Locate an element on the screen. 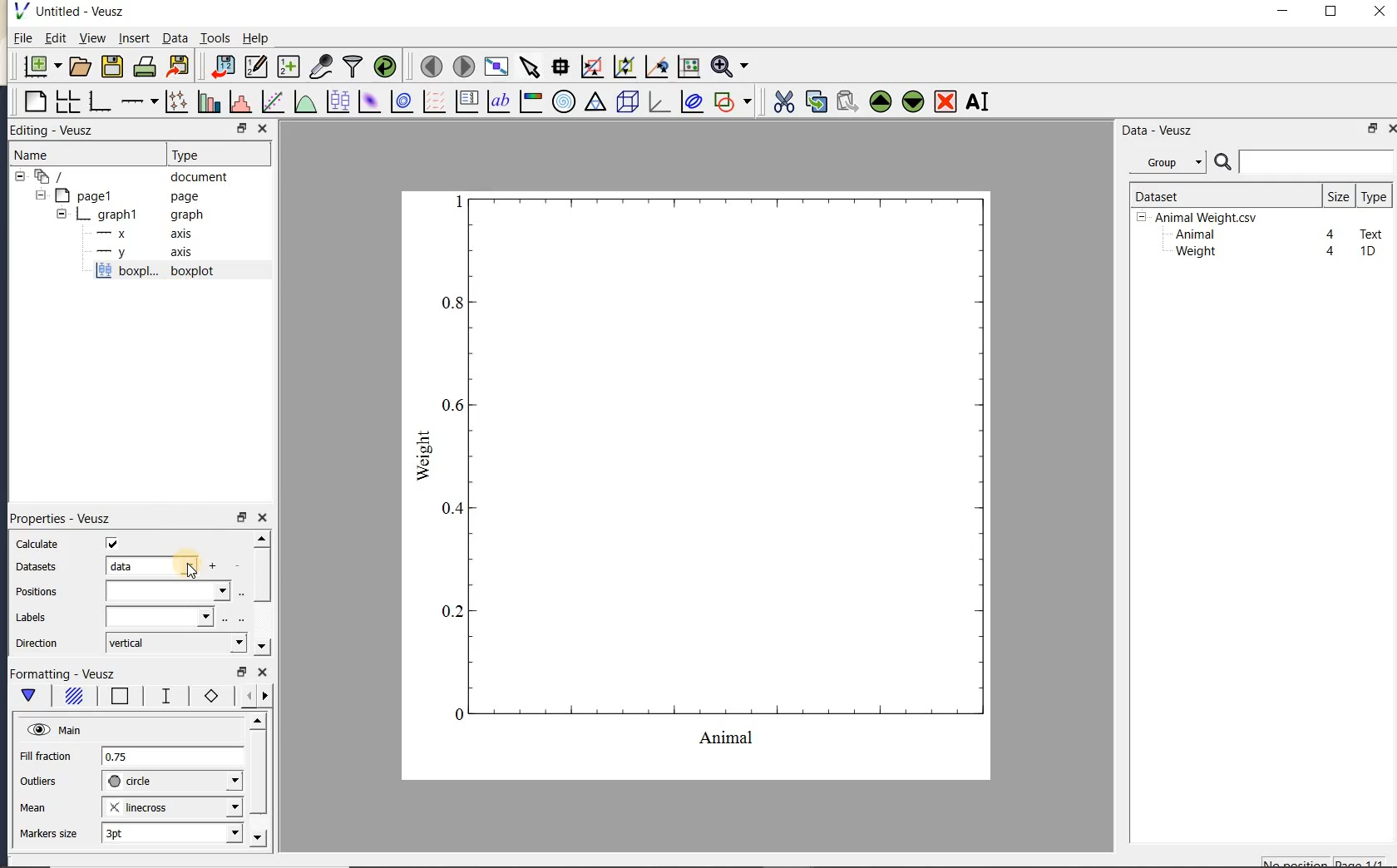 This screenshot has height=868, width=1397. reload linked datasets is located at coordinates (385, 65).